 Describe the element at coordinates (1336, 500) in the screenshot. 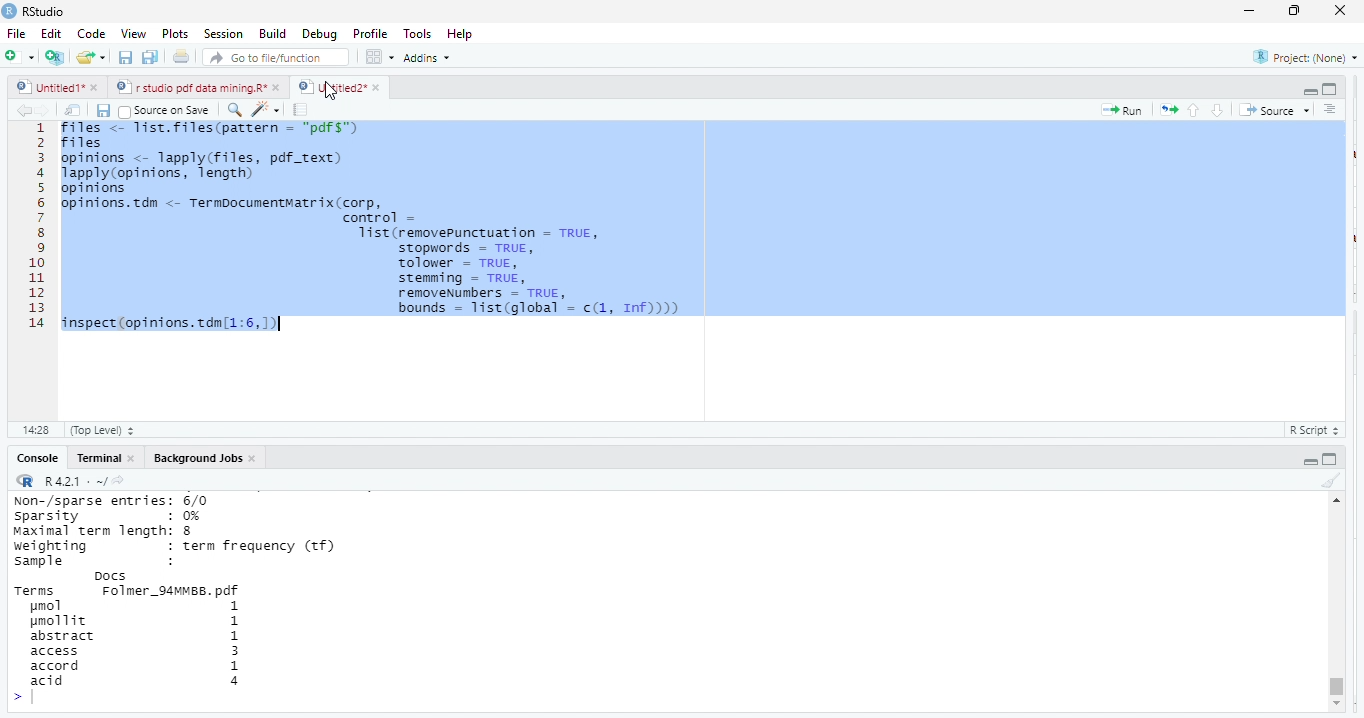

I see `scroll up` at that location.